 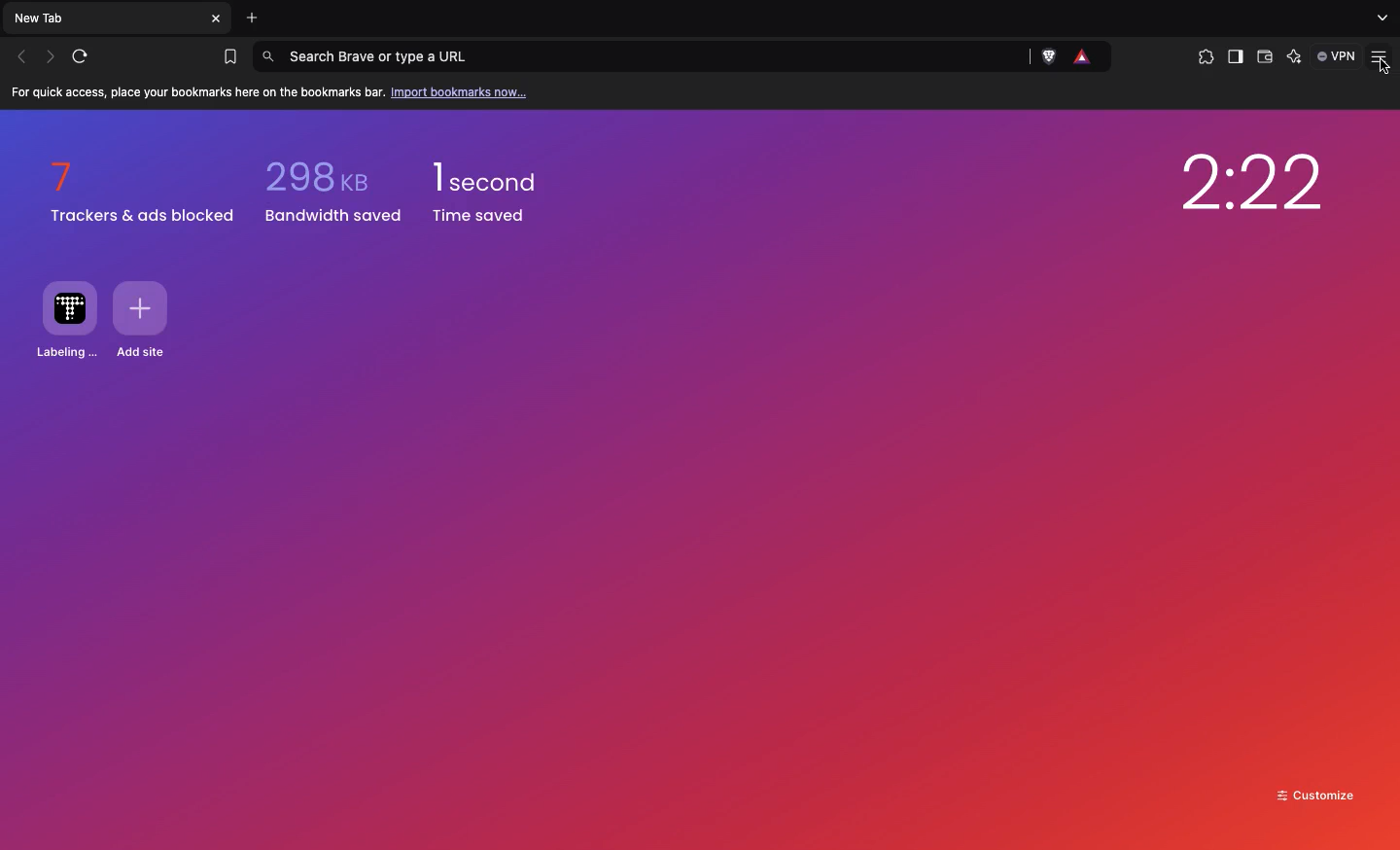 I want to click on cursor, so click(x=1384, y=65).